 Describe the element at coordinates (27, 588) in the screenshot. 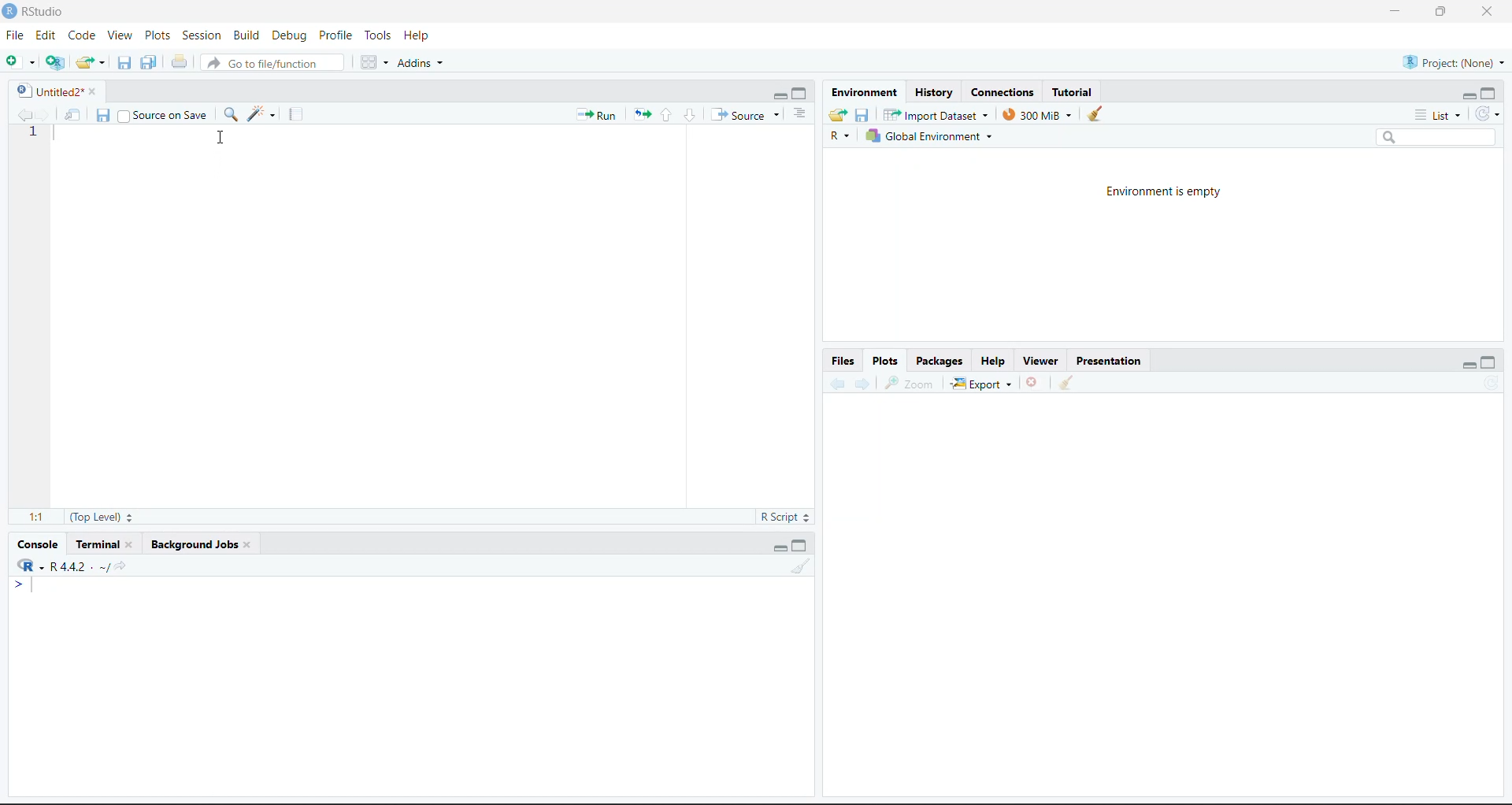

I see `typing cursor` at that location.